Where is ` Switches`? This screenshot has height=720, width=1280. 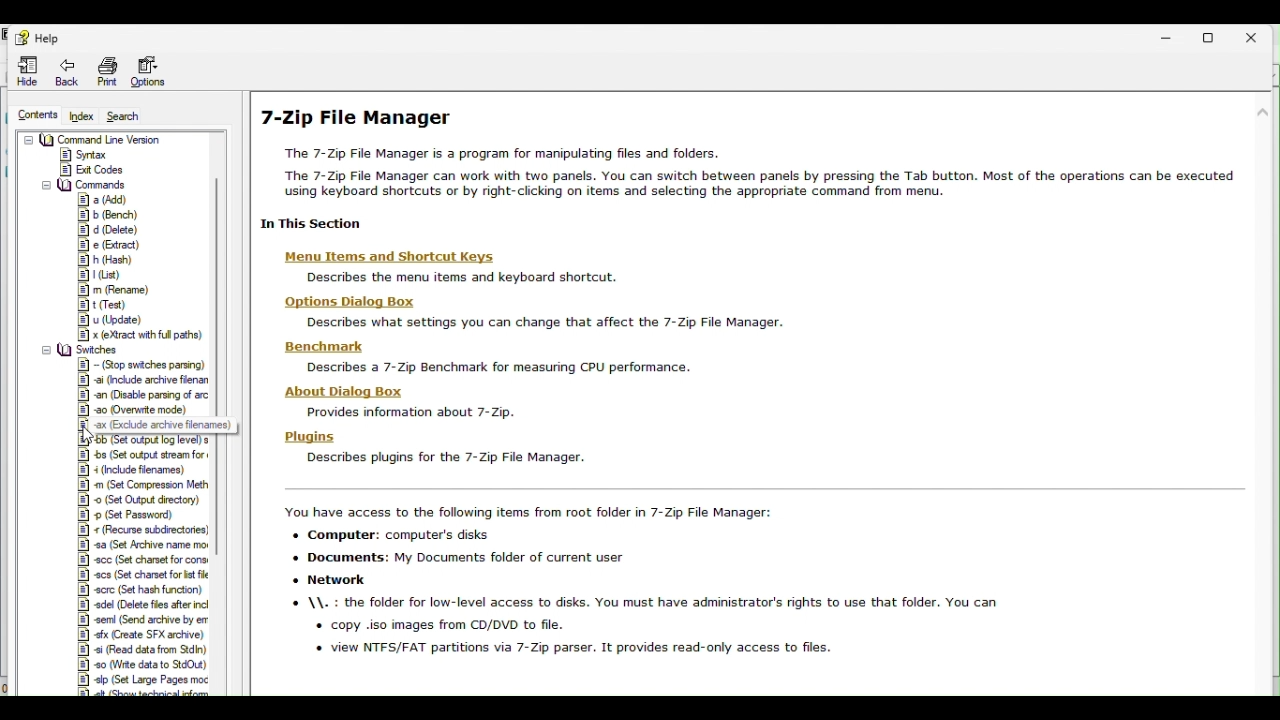
 Switches is located at coordinates (84, 351).